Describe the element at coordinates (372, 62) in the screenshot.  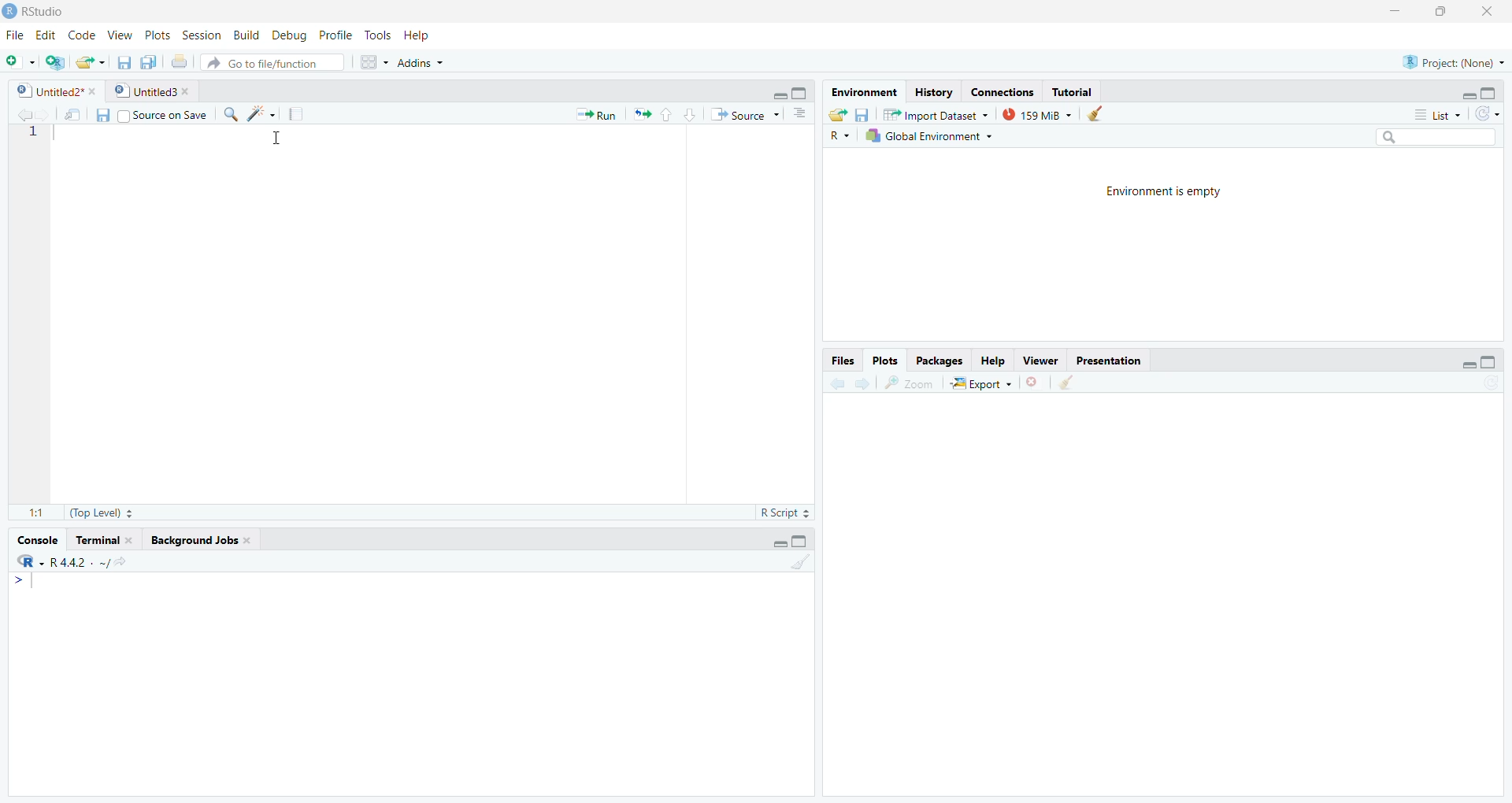
I see `Workspace panes` at that location.